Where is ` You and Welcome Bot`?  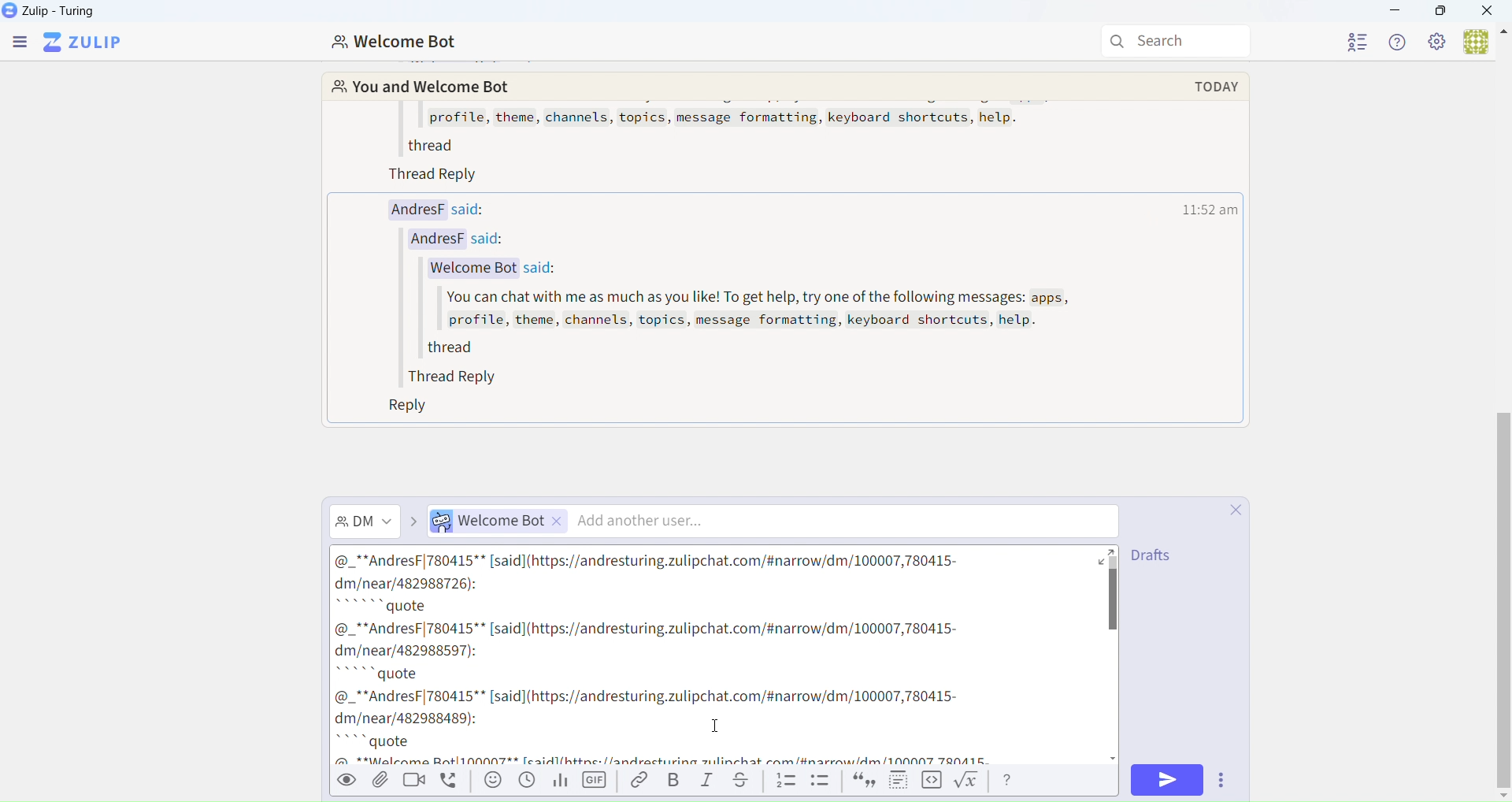  You and Welcome Bot is located at coordinates (417, 88).